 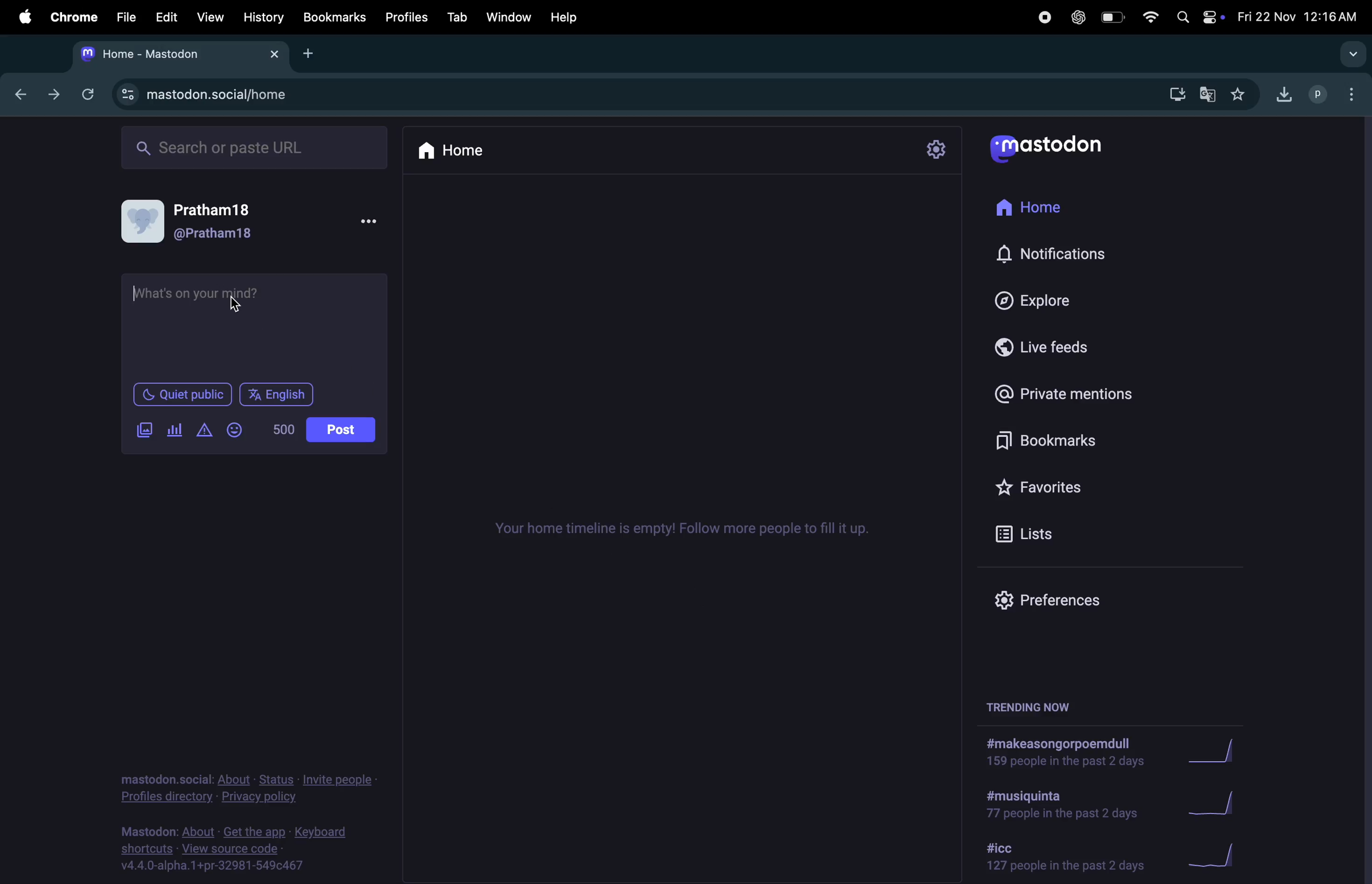 I want to click on graph, so click(x=1205, y=751).